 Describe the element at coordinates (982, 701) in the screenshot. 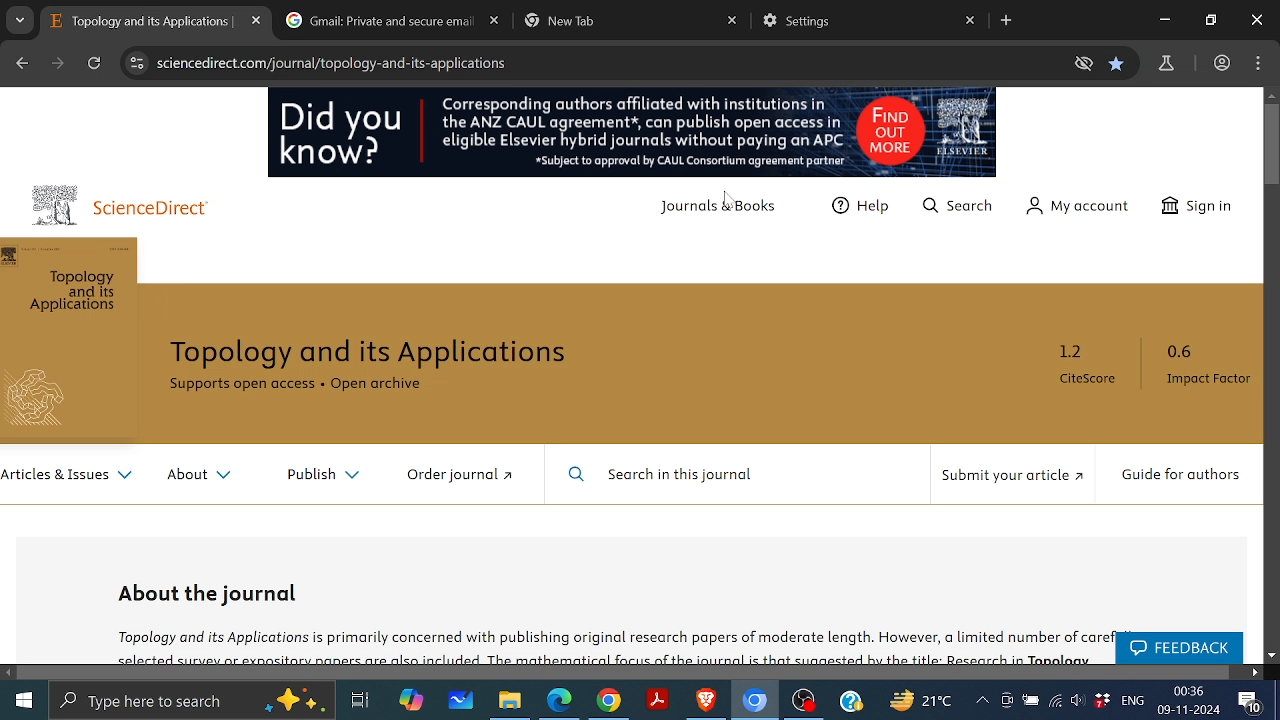

I see `show hidden icons` at that location.